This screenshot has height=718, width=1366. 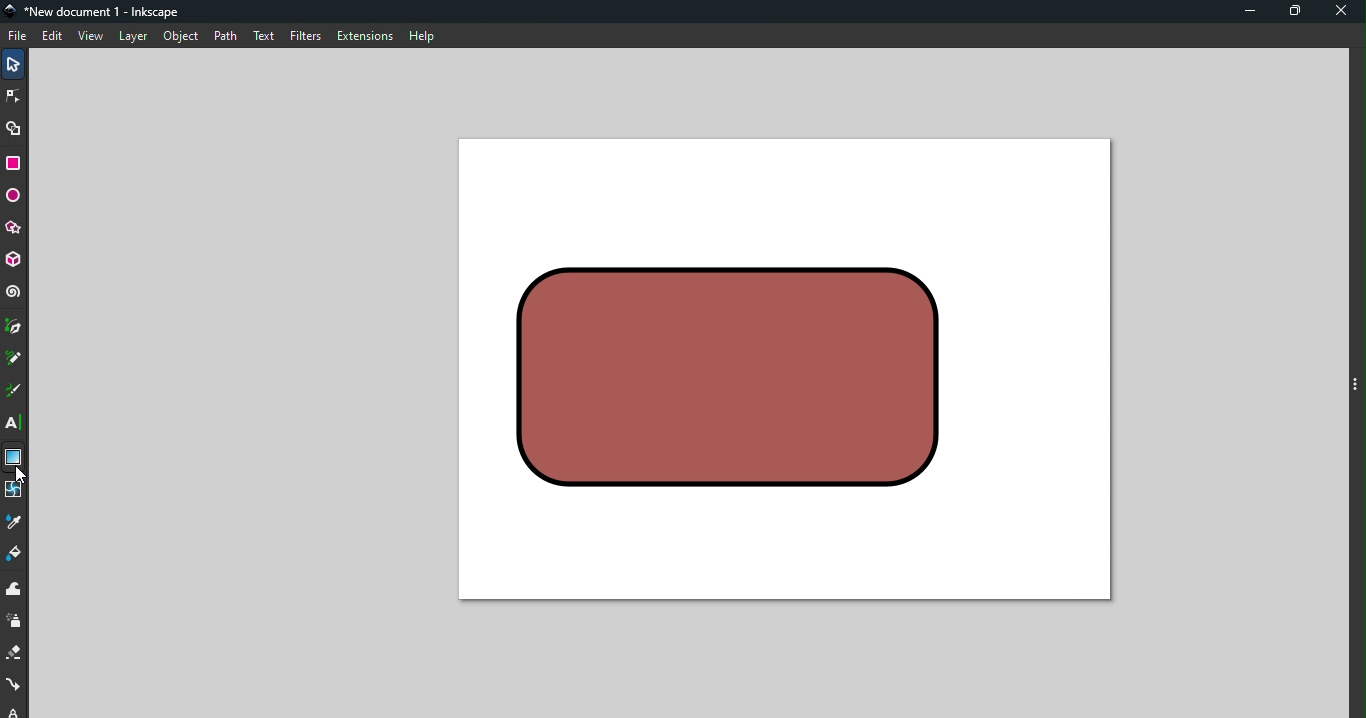 What do you see at coordinates (54, 37) in the screenshot?
I see `Edit` at bounding box center [54, 37].